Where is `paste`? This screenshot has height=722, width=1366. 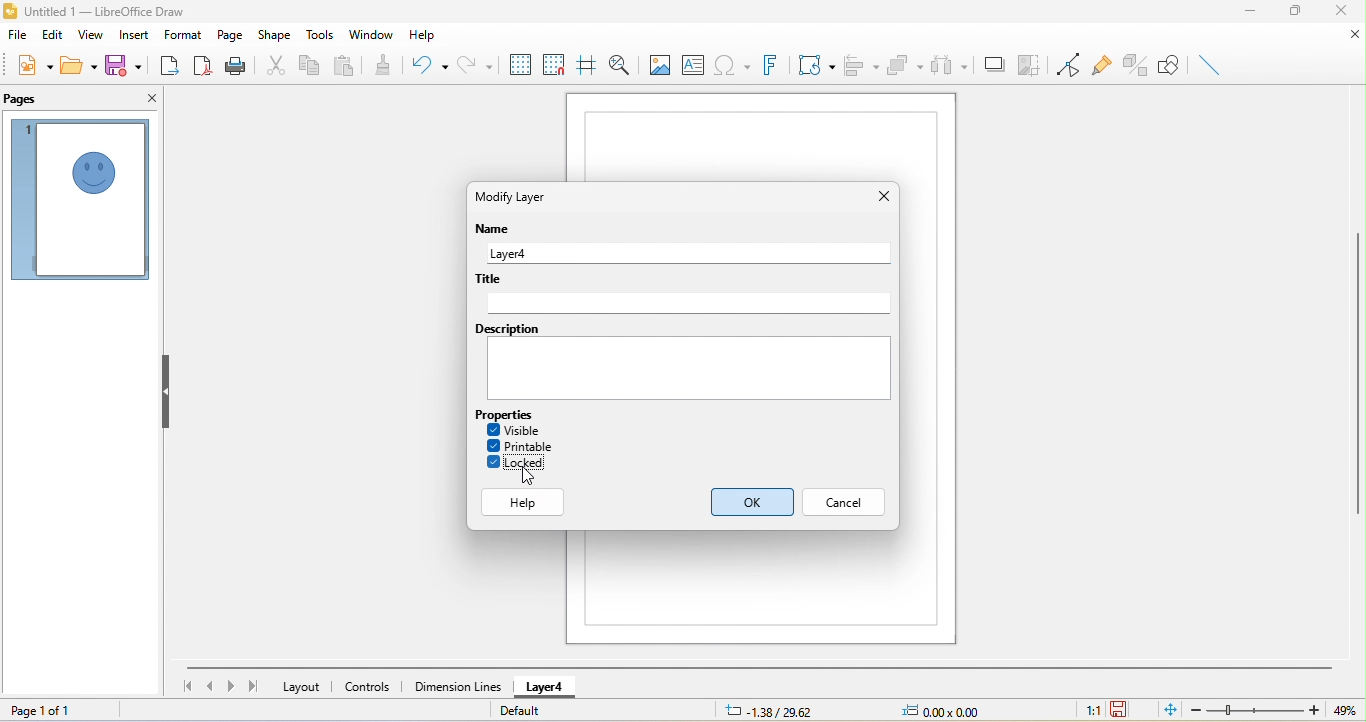 paste is located at coordinates (346, 67).